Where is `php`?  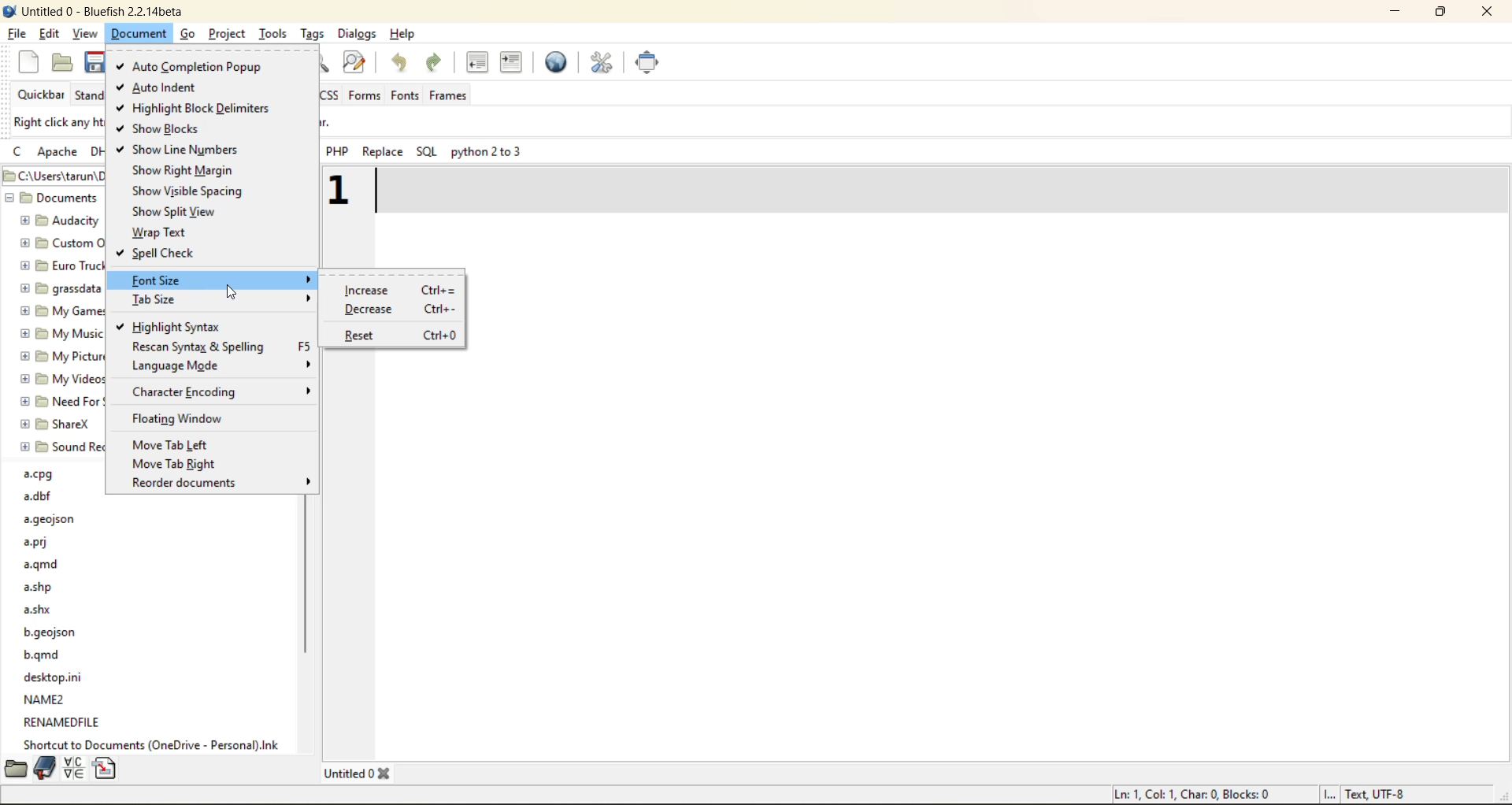 php is located at coordinates (339, 150).